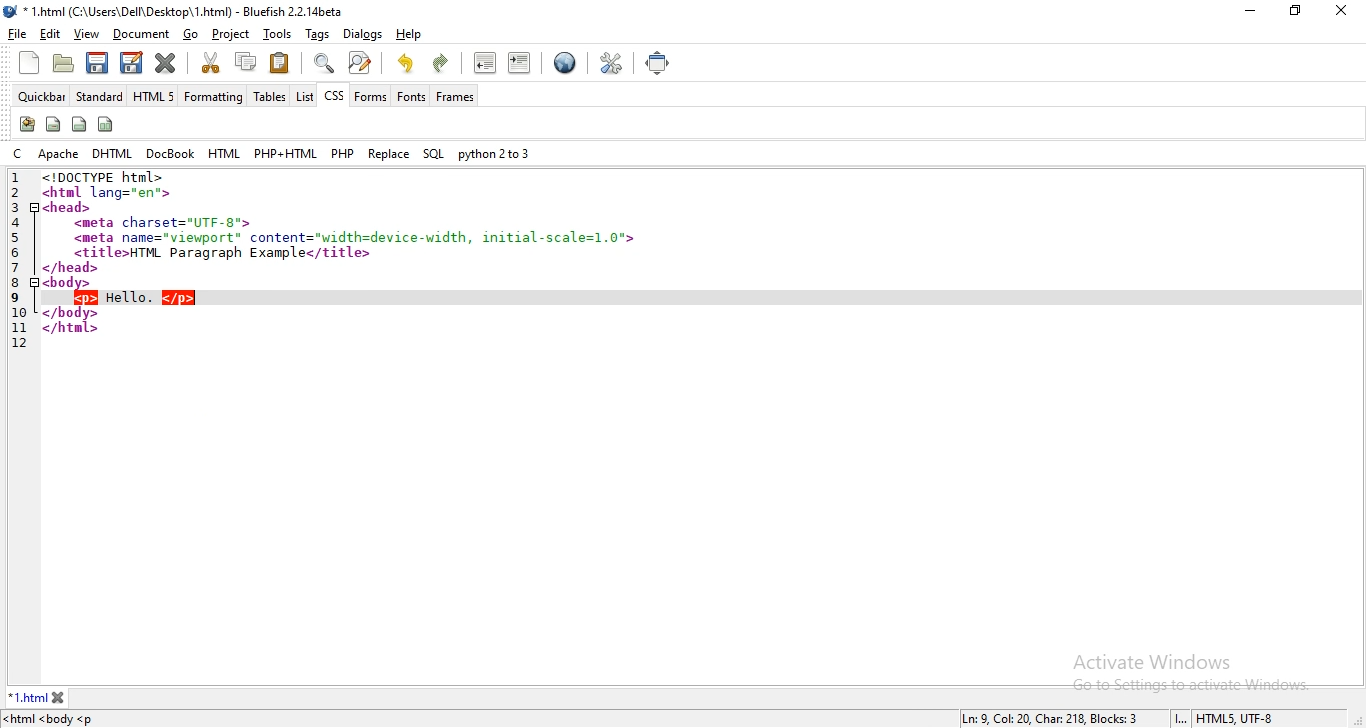 The image size is (1366, 728). Describe the element at coordinates (334, 95) in the screenshot. I see `css` at that location.